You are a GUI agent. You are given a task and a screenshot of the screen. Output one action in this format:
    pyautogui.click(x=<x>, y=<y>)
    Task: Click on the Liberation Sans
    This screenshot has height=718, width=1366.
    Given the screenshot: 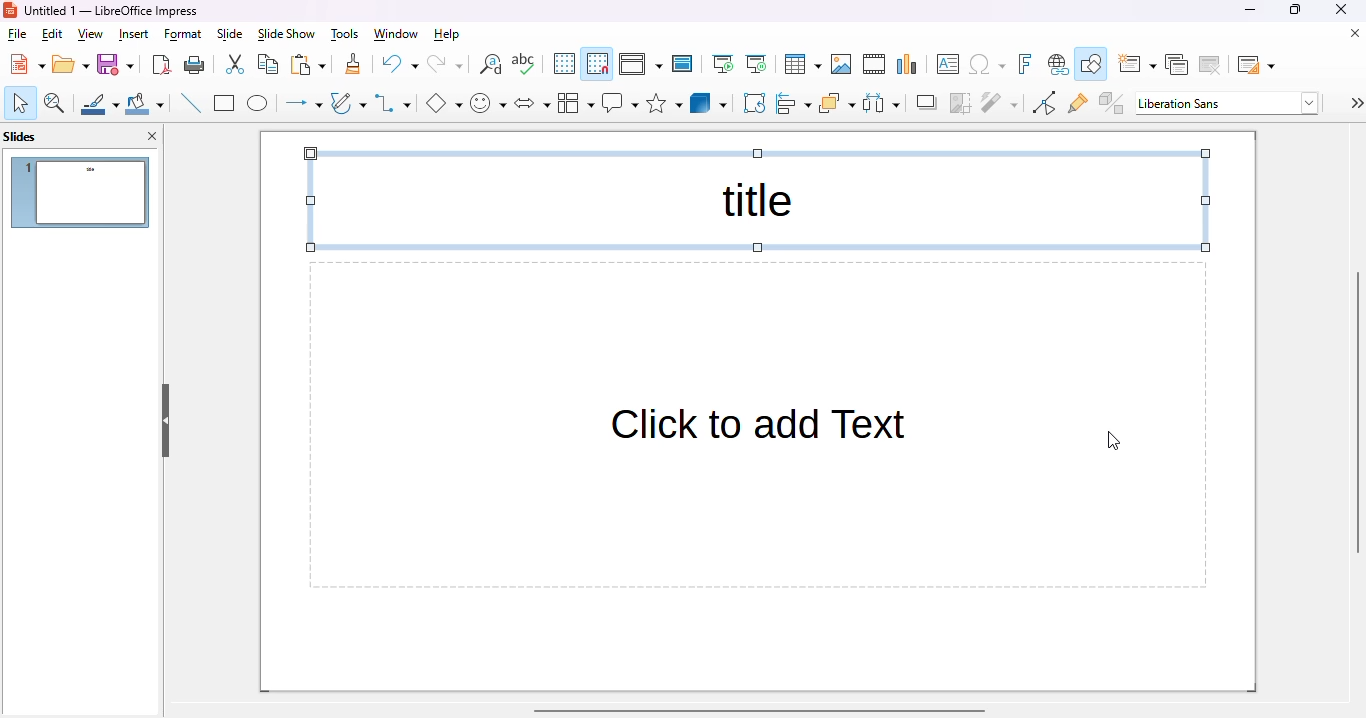 What is the action you would take?
    pyautogui.click(x=1228, y=103)
    